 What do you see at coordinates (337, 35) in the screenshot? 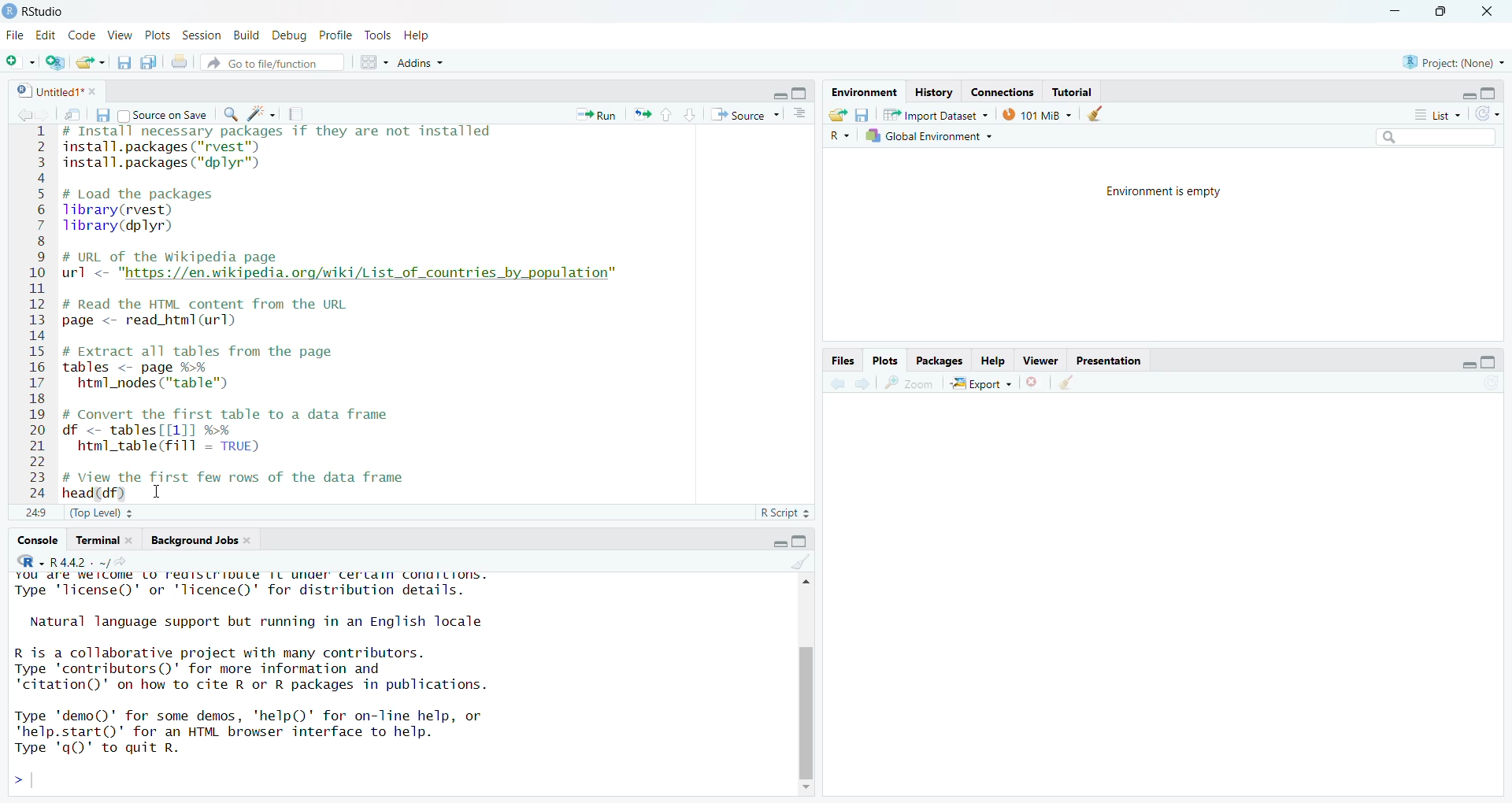
I see `Profile` at bounding box center [337, 35].